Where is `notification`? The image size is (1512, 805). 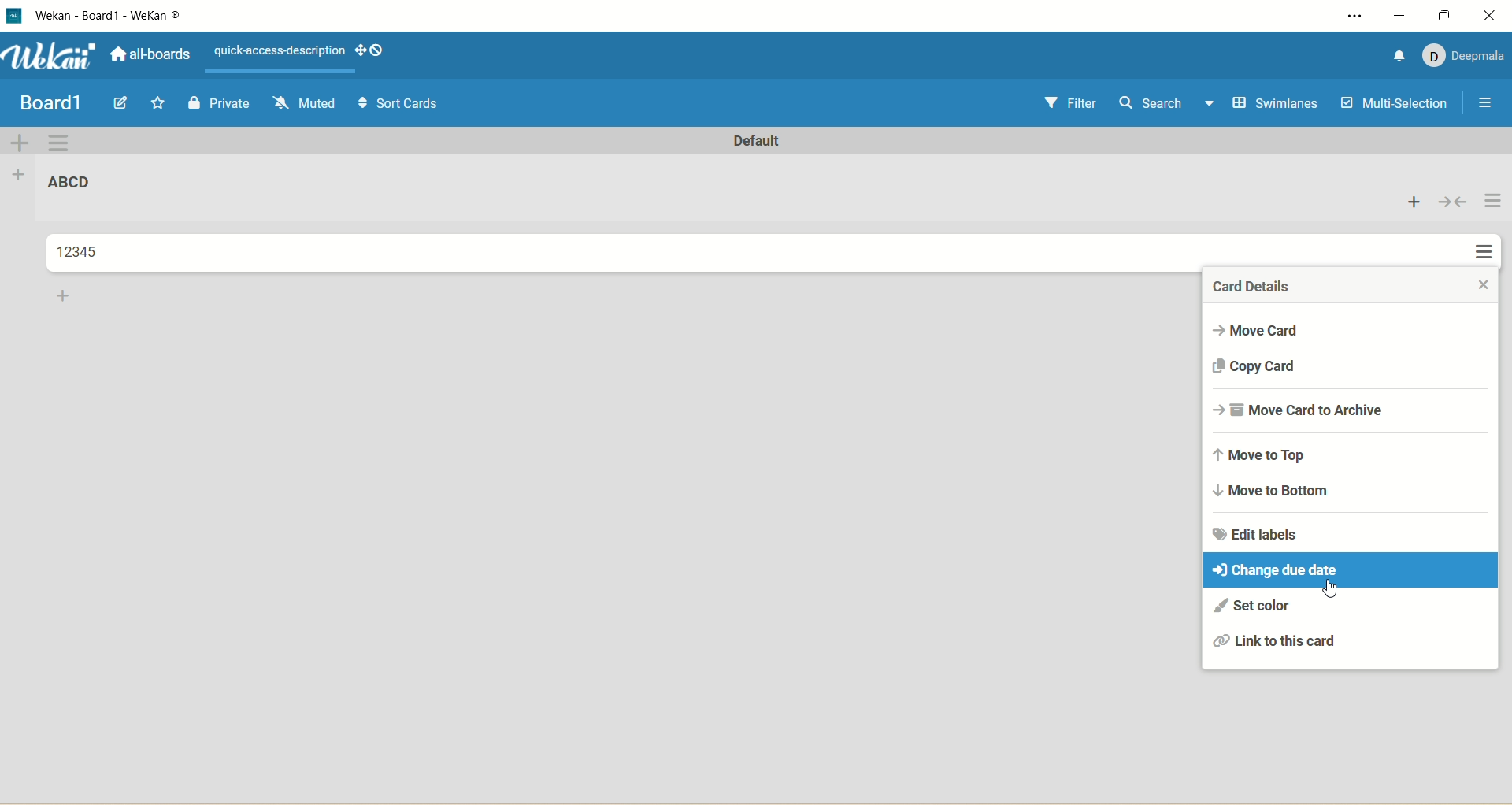 notification is located at coordinates (1400, 56).